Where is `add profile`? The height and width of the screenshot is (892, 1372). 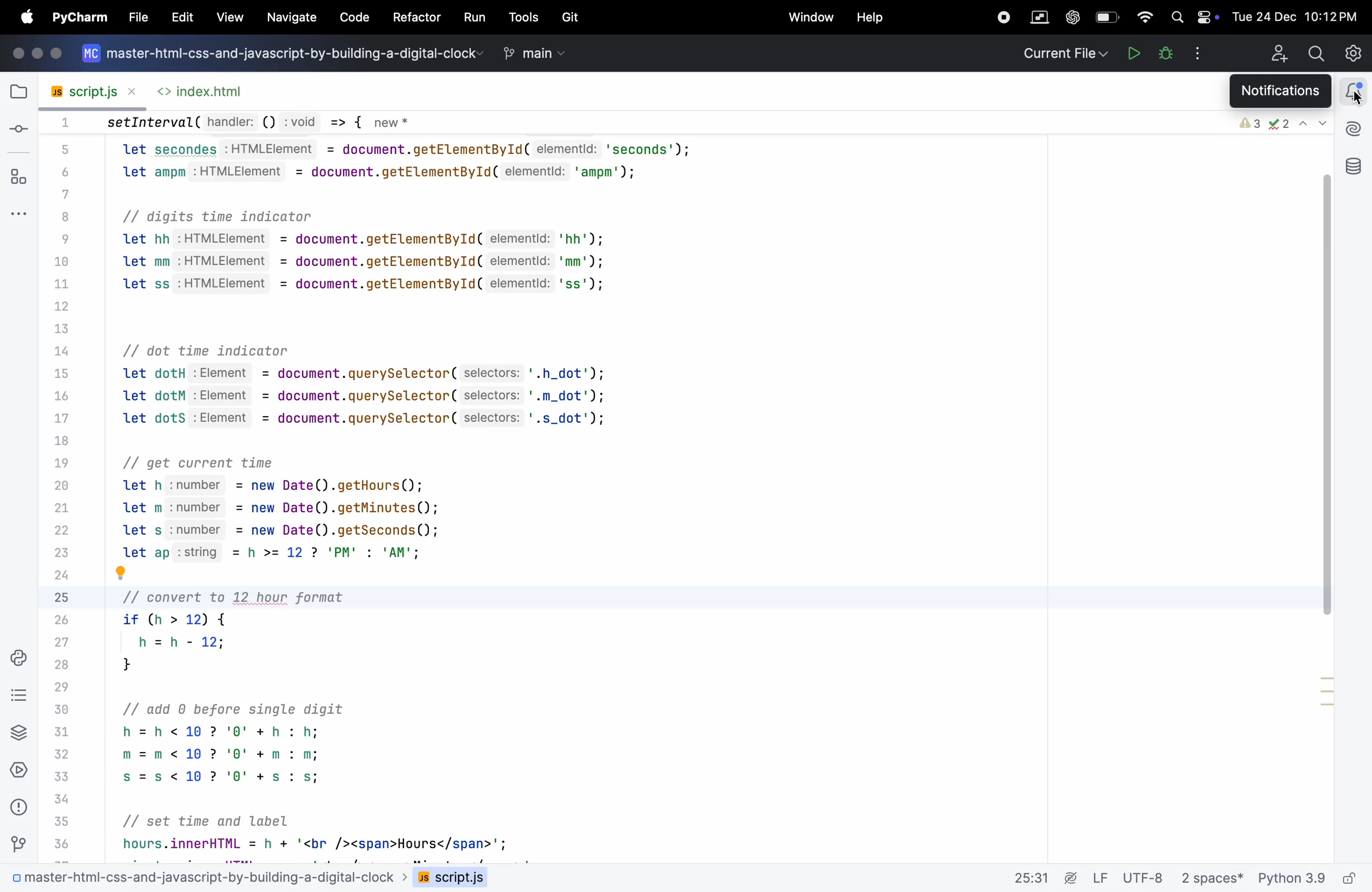
add profile is located at coordinates (1279, 52).